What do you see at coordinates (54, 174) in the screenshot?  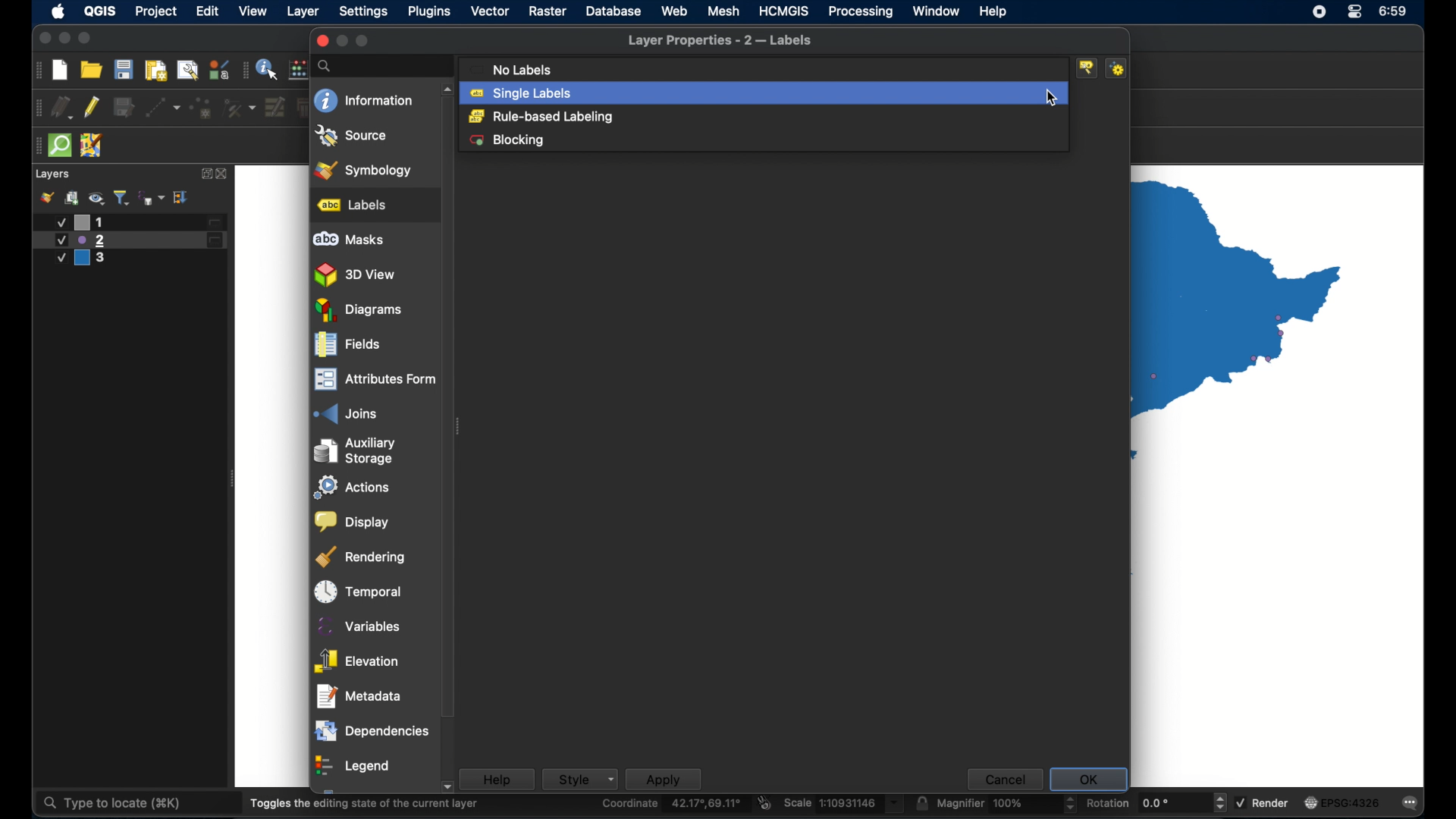 I see `layers` at bounding box center [54, 174].